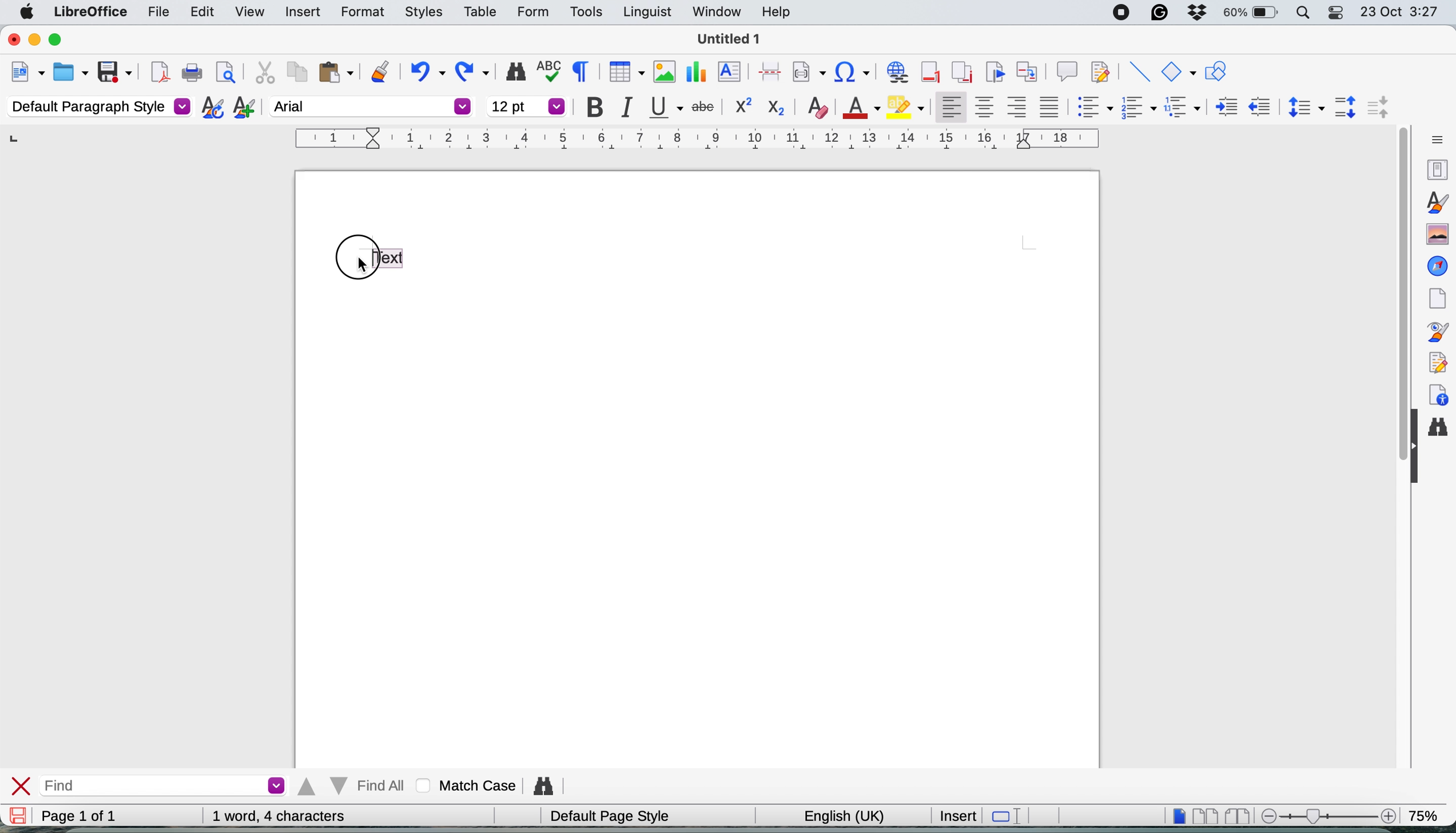 This screenshot has width=1456, height=833. I want to click on redo, so click(476, 72).